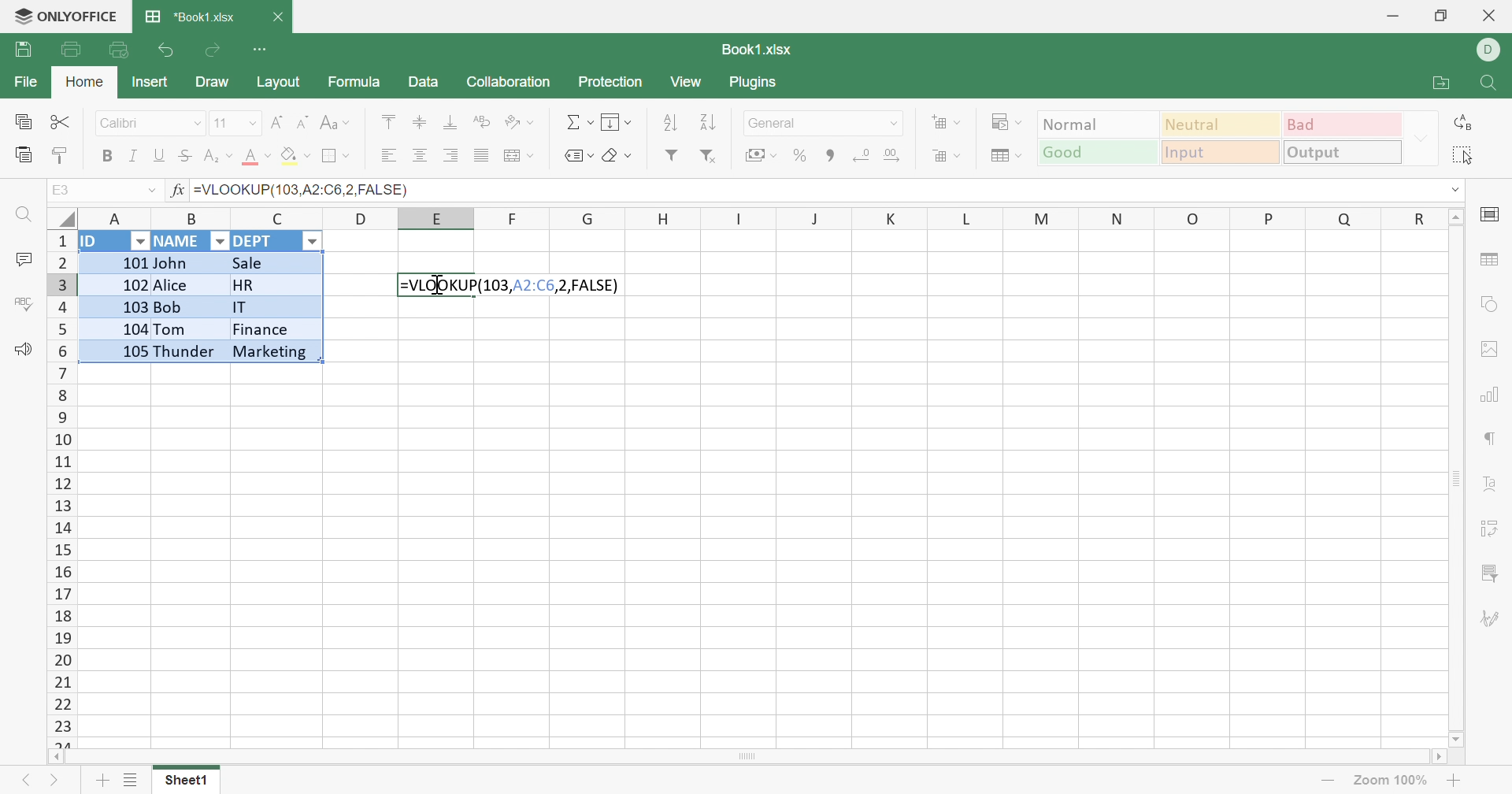 The image size is (1512, 794). Describe the element at coordinates (688, 83) in the screenshot. I see `View` at that location.